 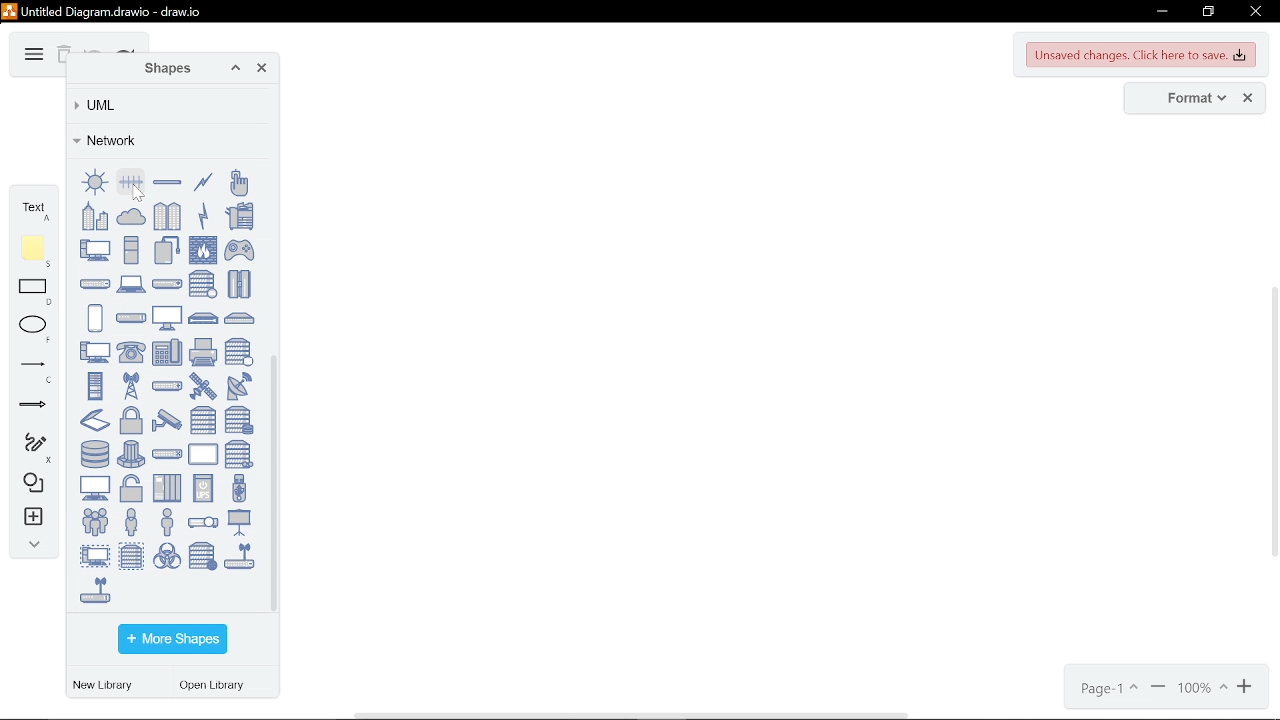 What do you see at coordinates (167, 249) in the screenshot?
I see `external storage` at bounding box center [167, 249].